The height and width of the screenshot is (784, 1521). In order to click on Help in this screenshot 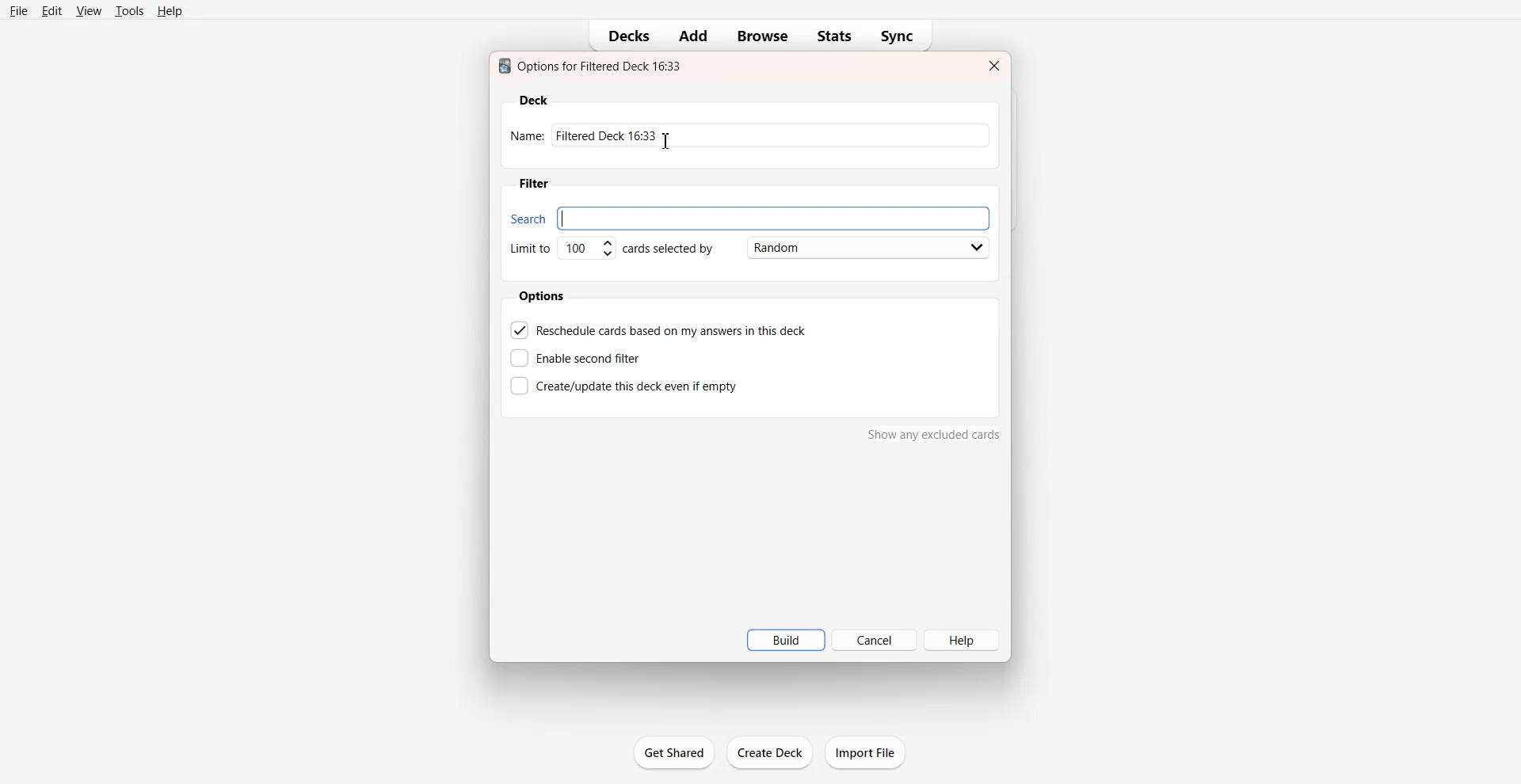, I will do `click(963, 639)`.